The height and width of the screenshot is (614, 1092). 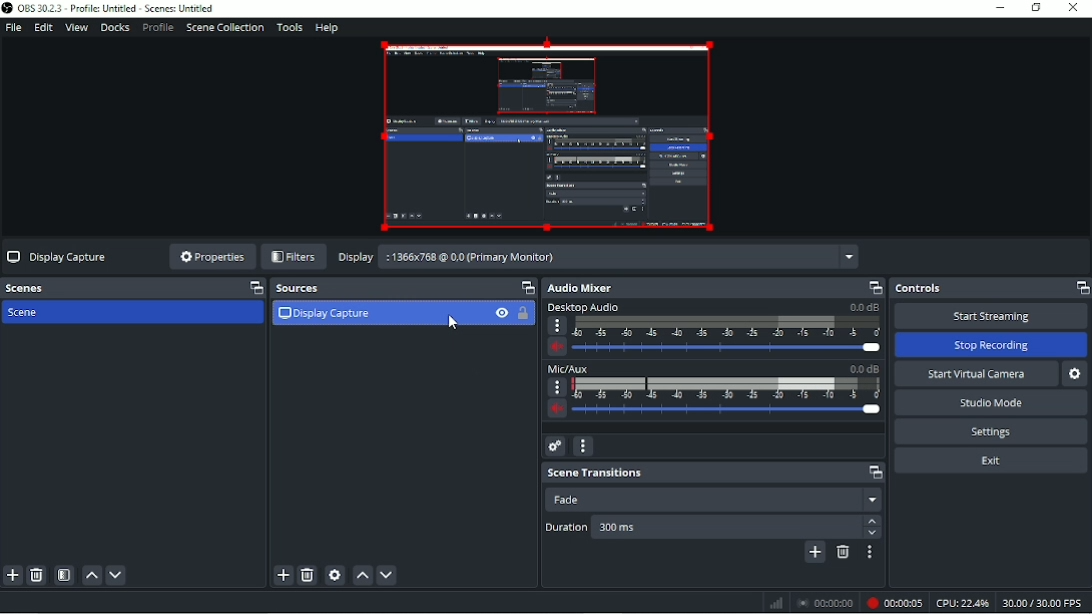 I want to click on Help, so click(x=327, y=27).